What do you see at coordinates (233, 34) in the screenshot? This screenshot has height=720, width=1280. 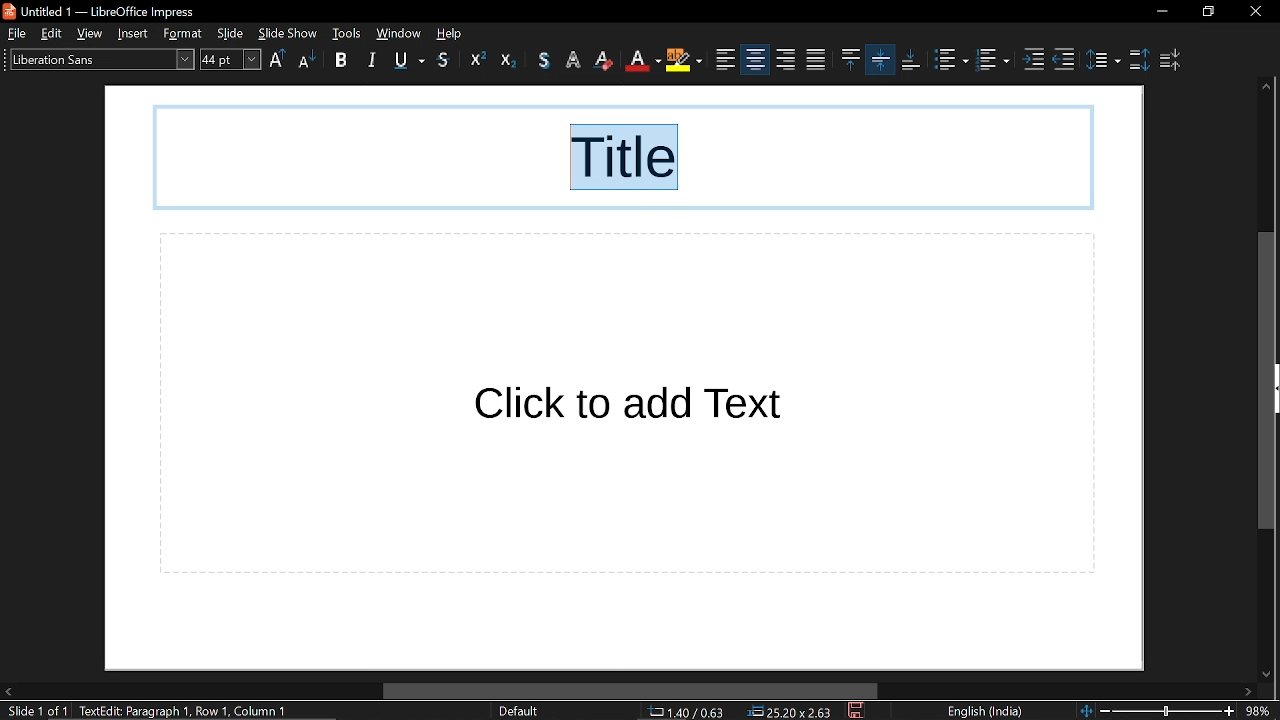 I see `slide` at bounding box center [233, 34].